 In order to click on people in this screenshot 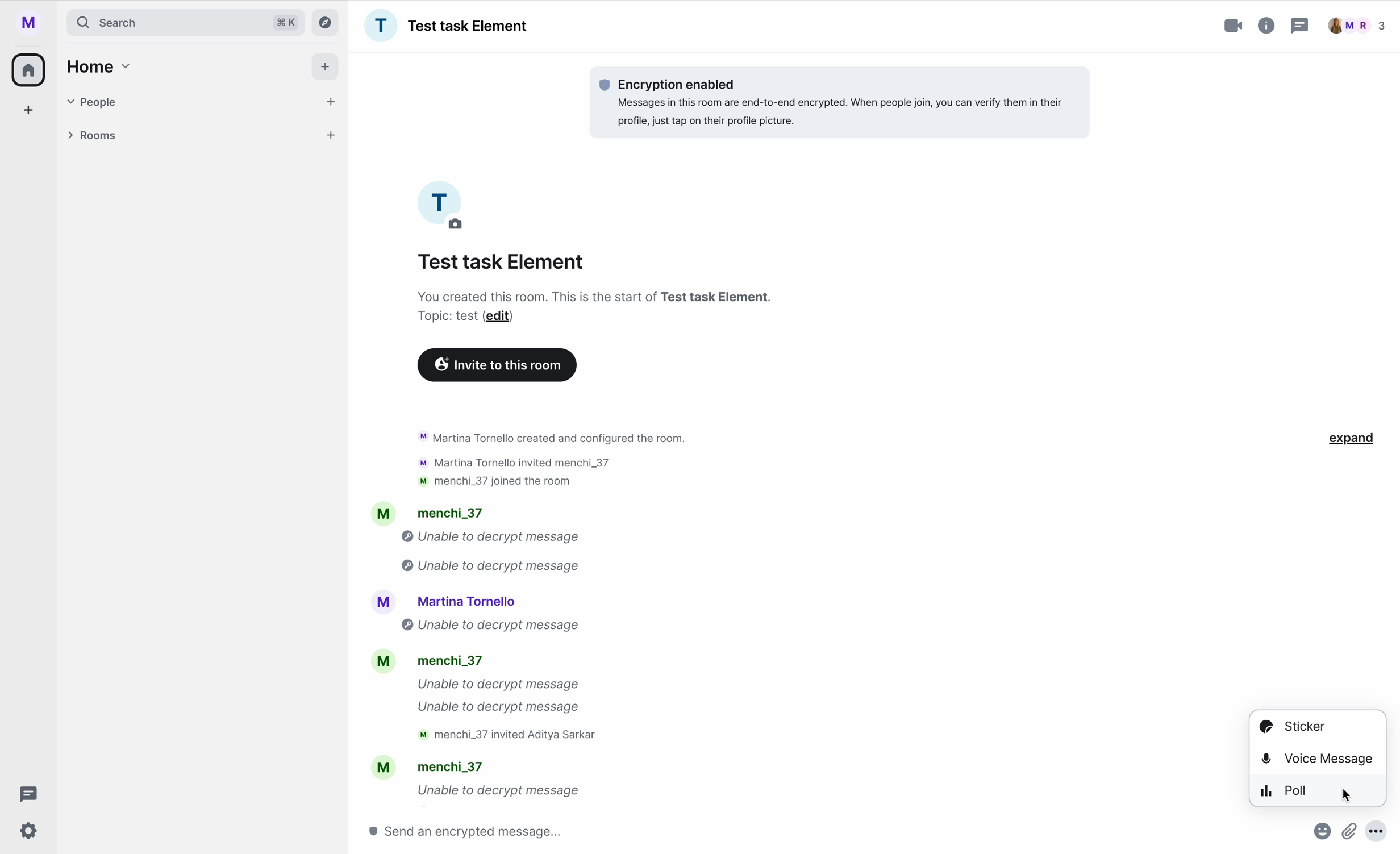, I will do `click(1357, 26)`.